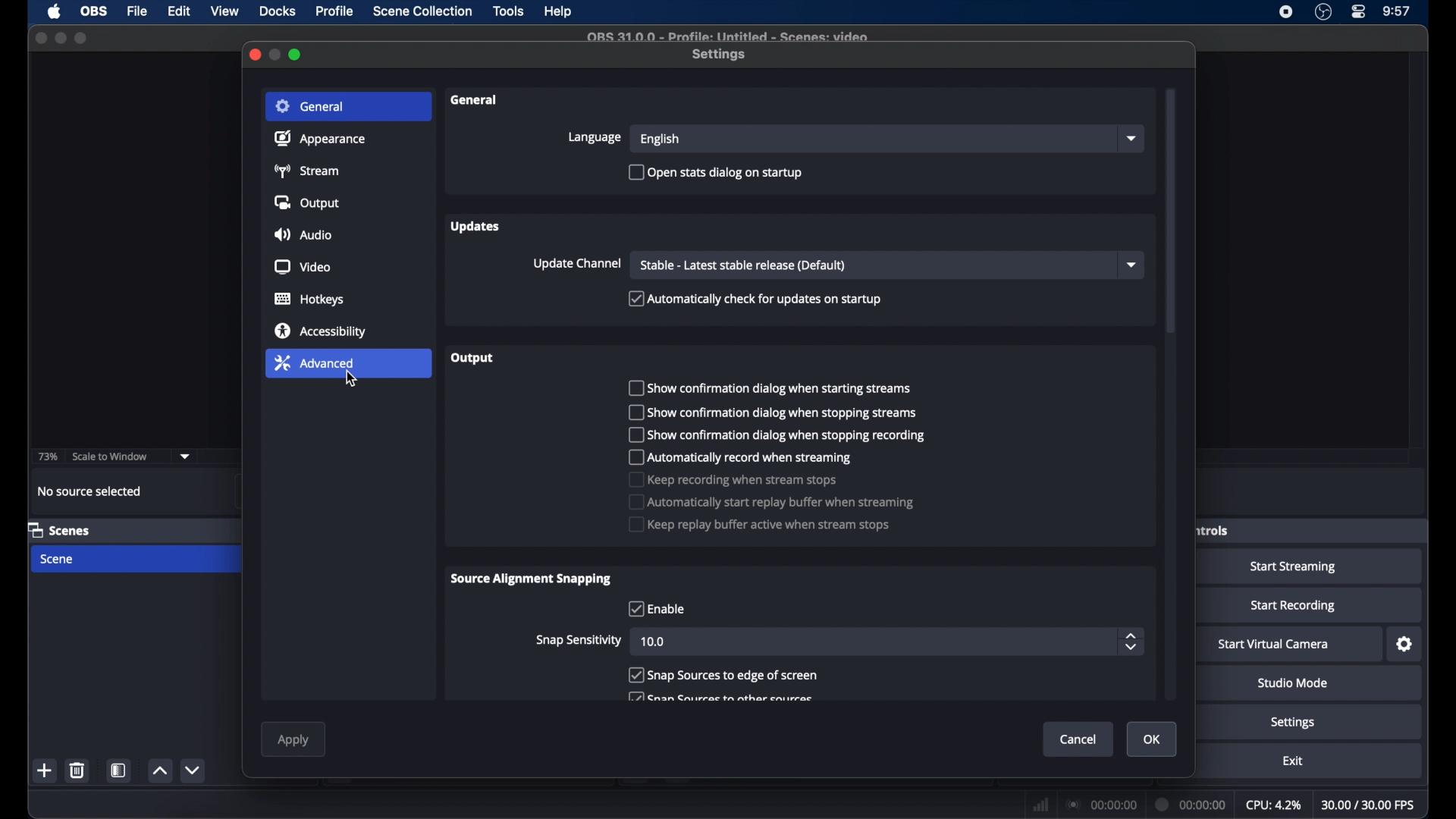  What do you see at coordinates (1214, 530) in the screenshot?
I see `obscure label` at bounding box center [1214, 530].